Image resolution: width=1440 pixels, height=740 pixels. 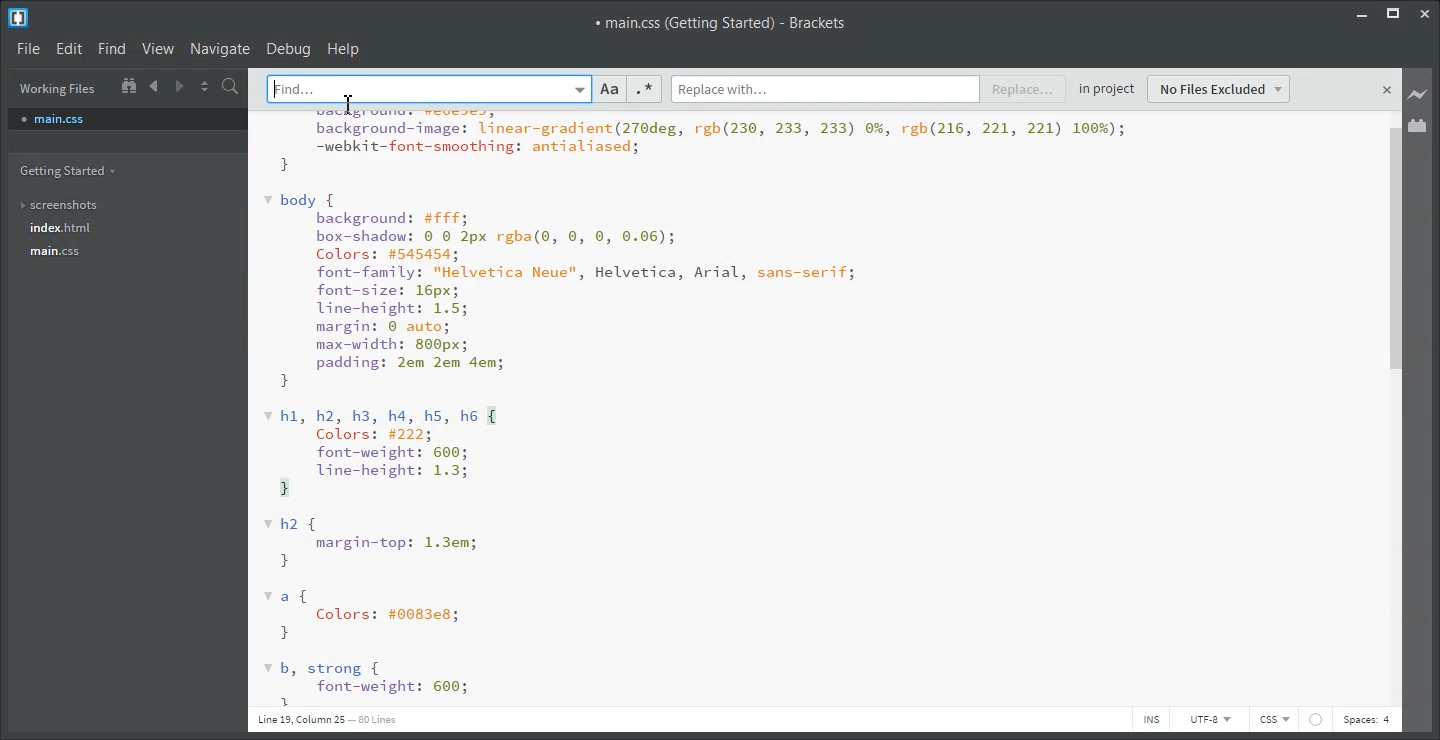 I want to click on in project, so click(x=1107, y=89).